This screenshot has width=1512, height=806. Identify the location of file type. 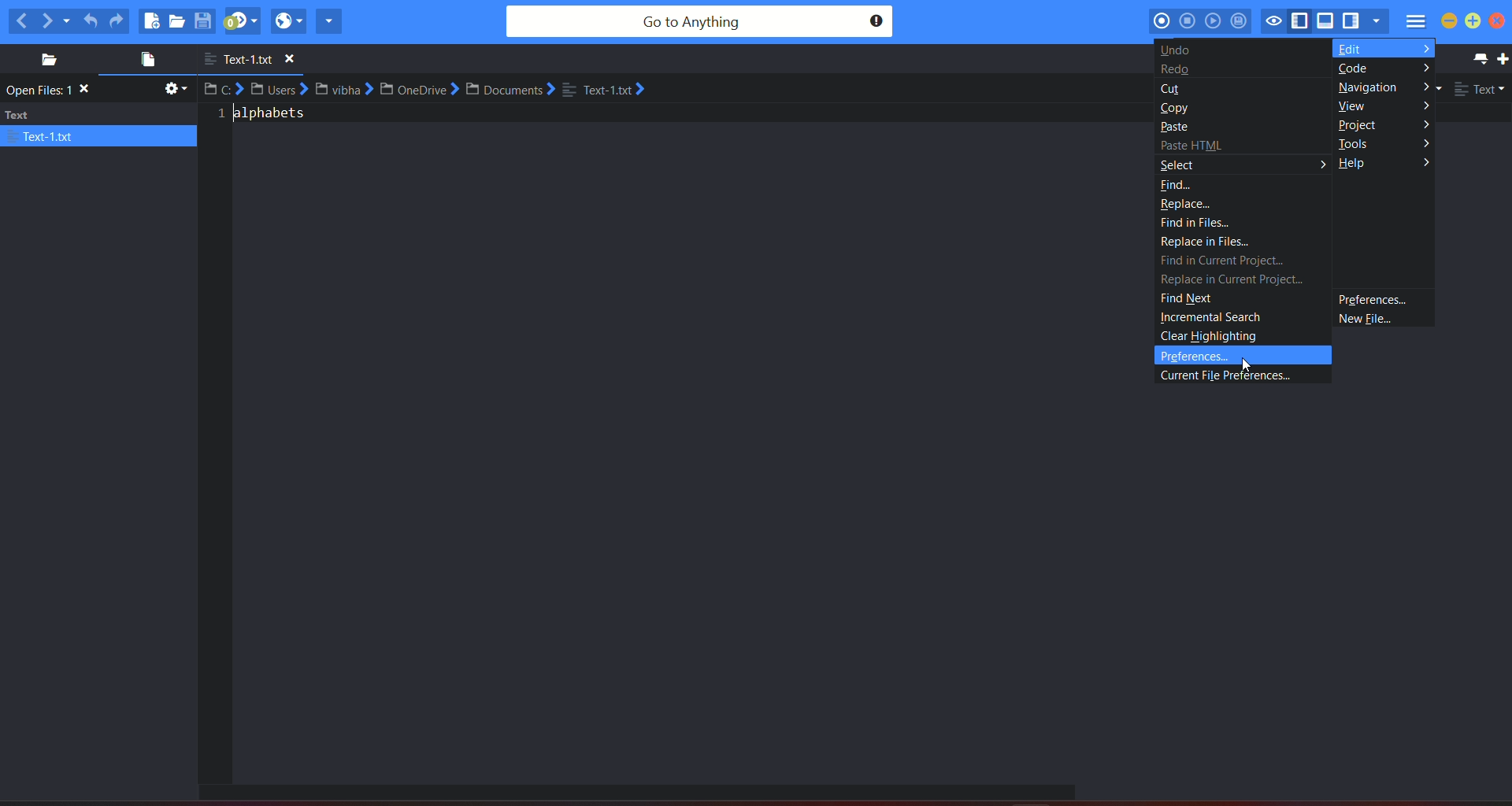
(1480, 91).